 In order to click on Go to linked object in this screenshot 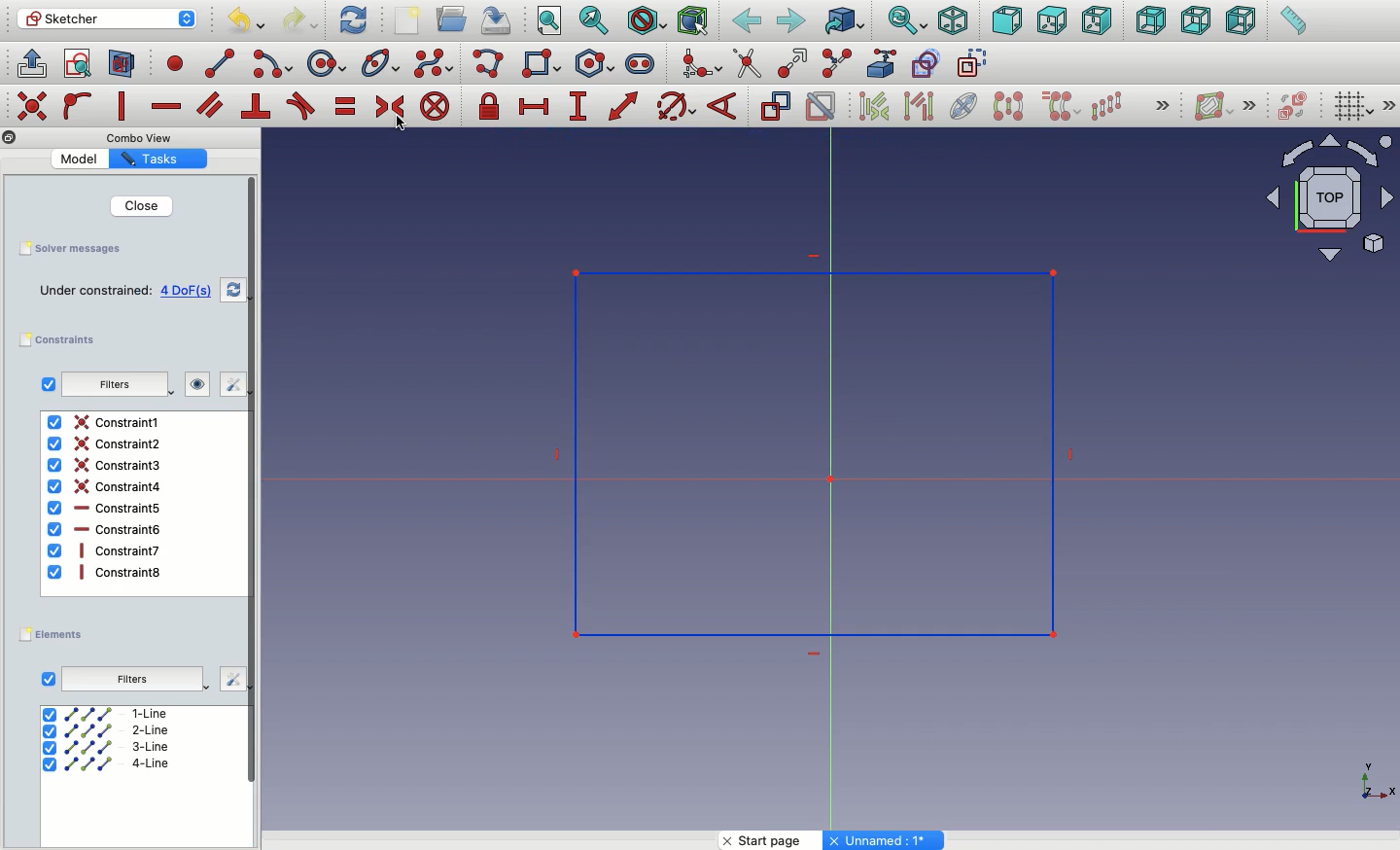, I will do `click(845, 22)`.